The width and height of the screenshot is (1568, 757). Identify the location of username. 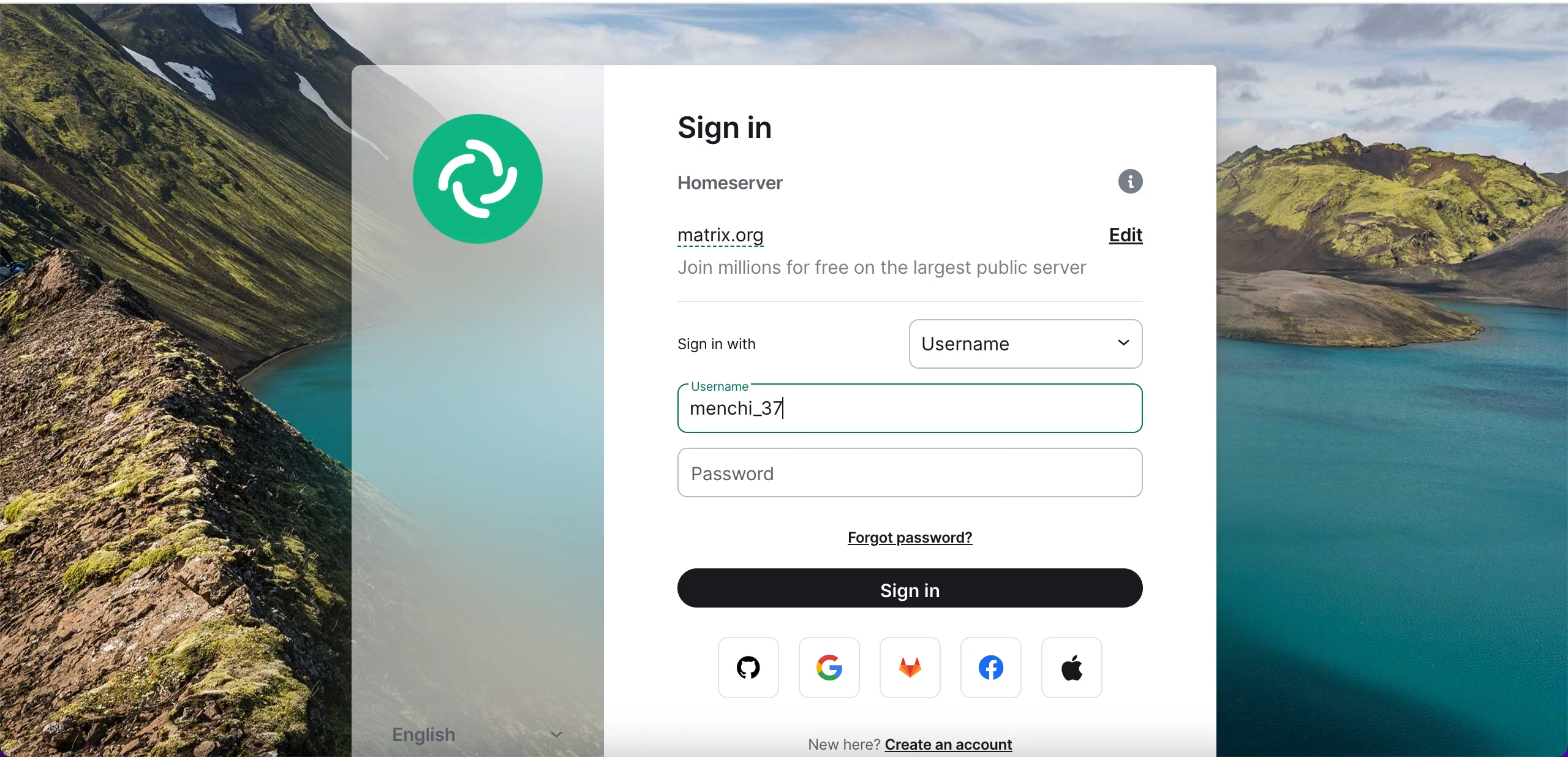
(1034, 342).